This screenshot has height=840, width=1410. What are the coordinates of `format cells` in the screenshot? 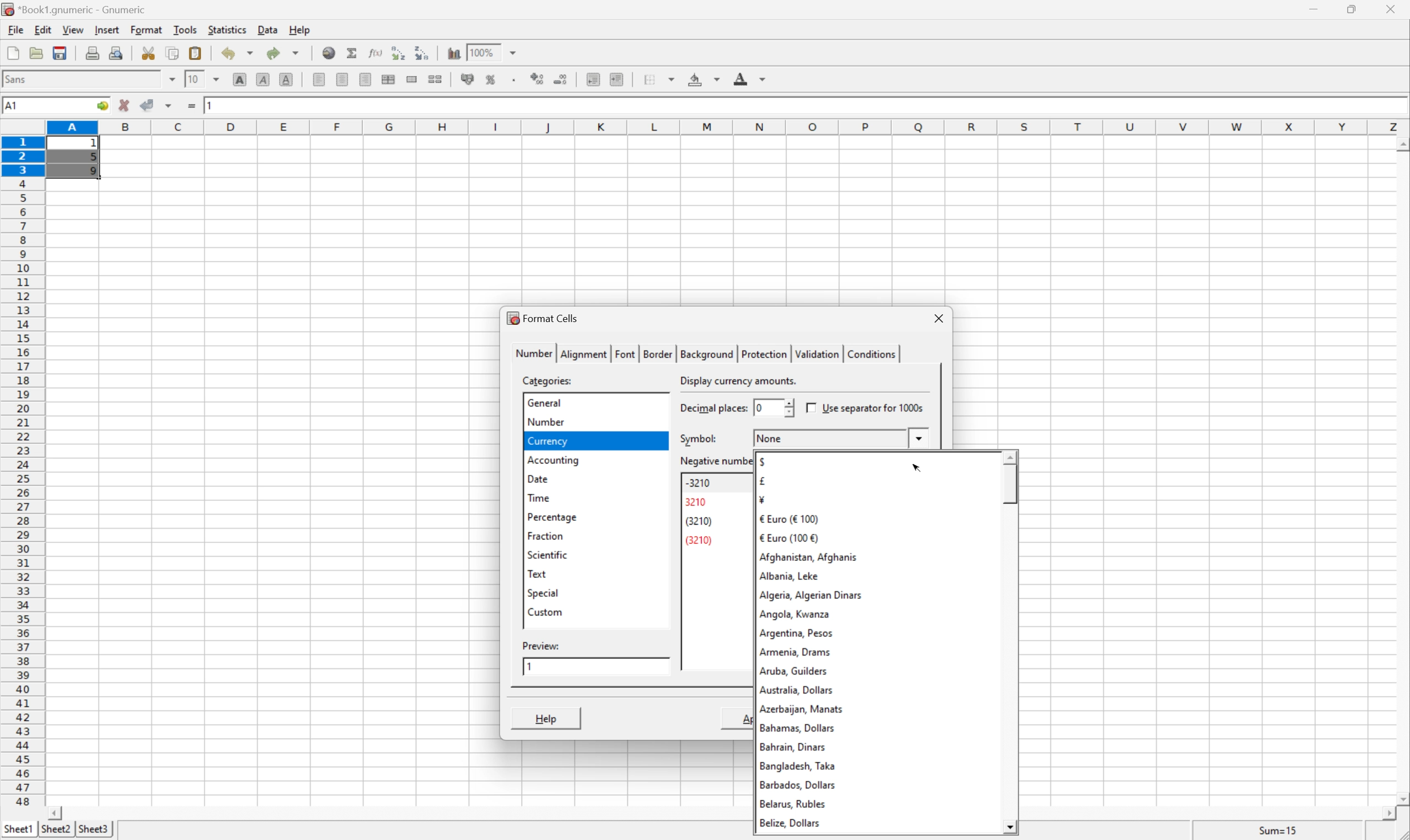 It's located at (542, 317).